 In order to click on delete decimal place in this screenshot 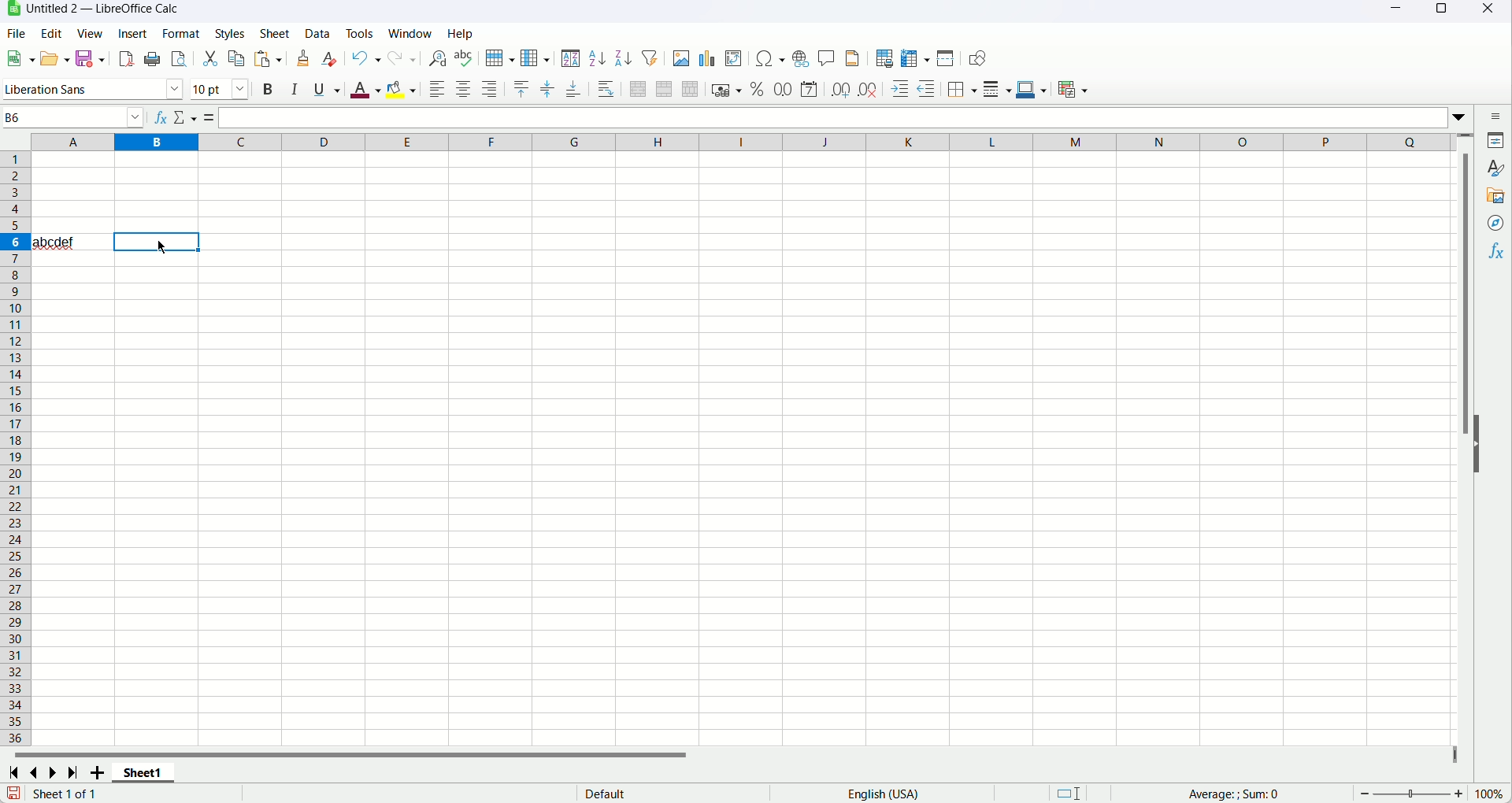, I will do `click(867, 91)`.